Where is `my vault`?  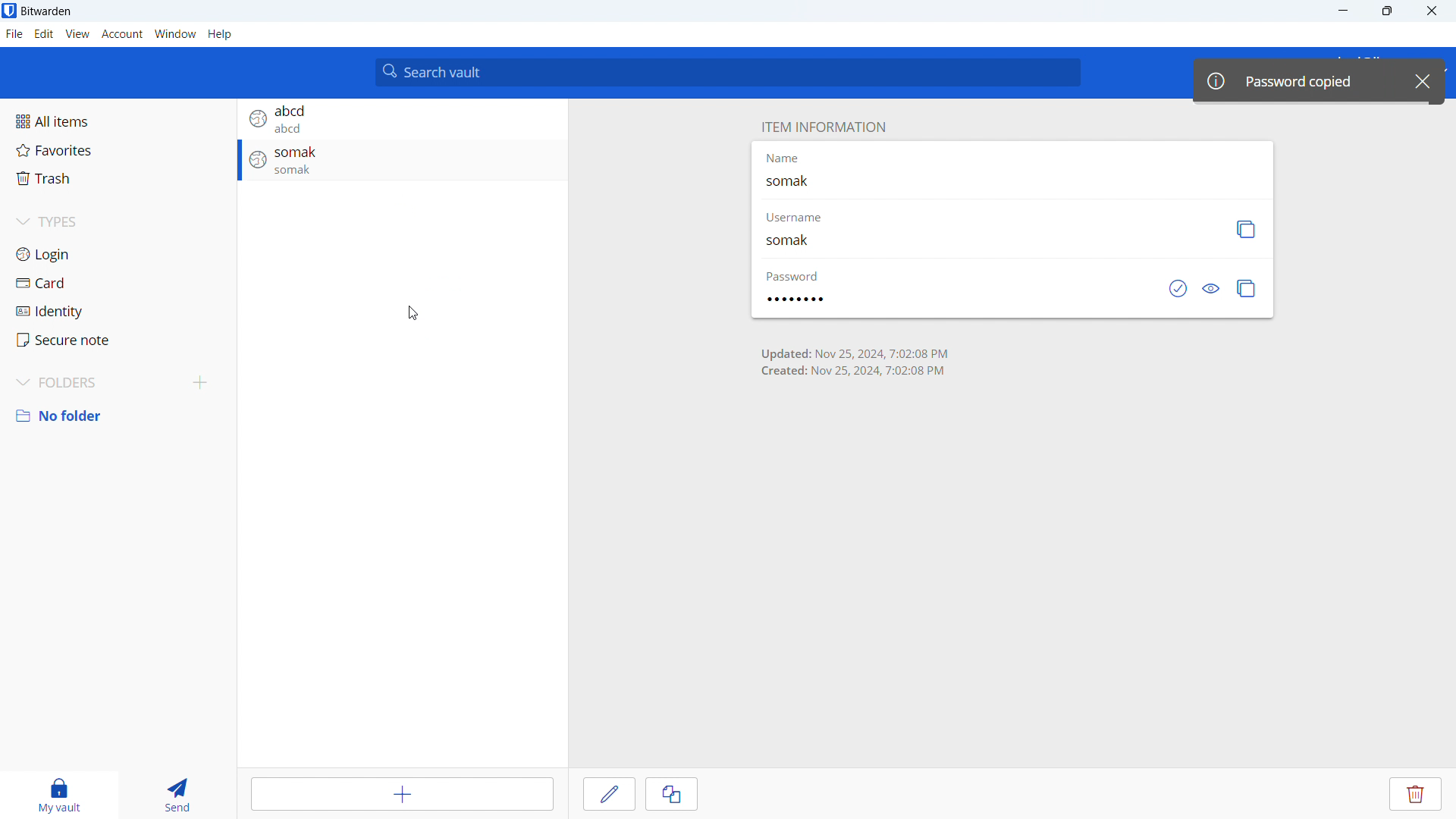
my vault is located at coordinates (58, 795).